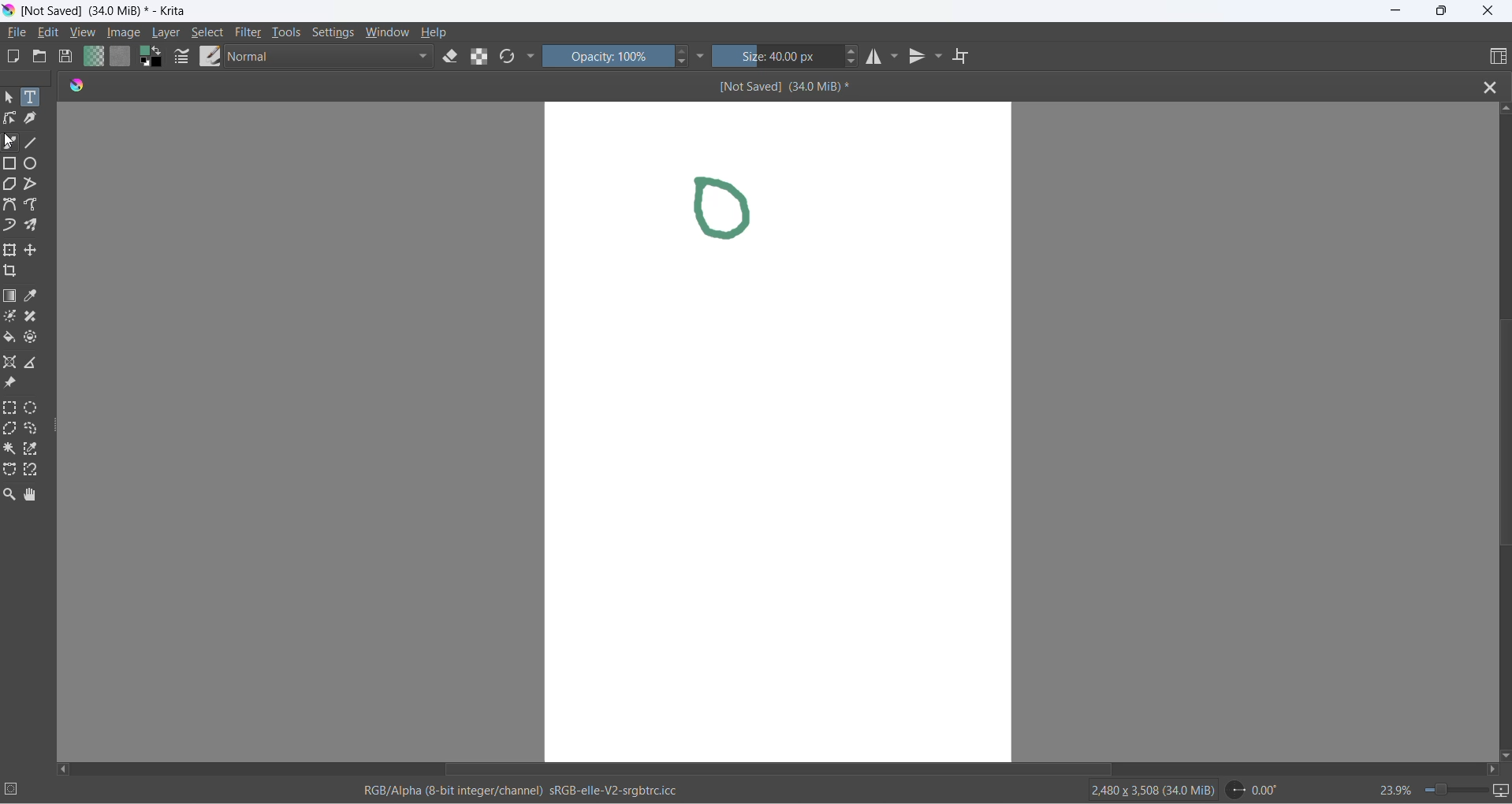 This screenshot has height=804, width=1512. Describe the element at coordinates (35, 184) in the screenshot. I see `polyline tool` at that location.